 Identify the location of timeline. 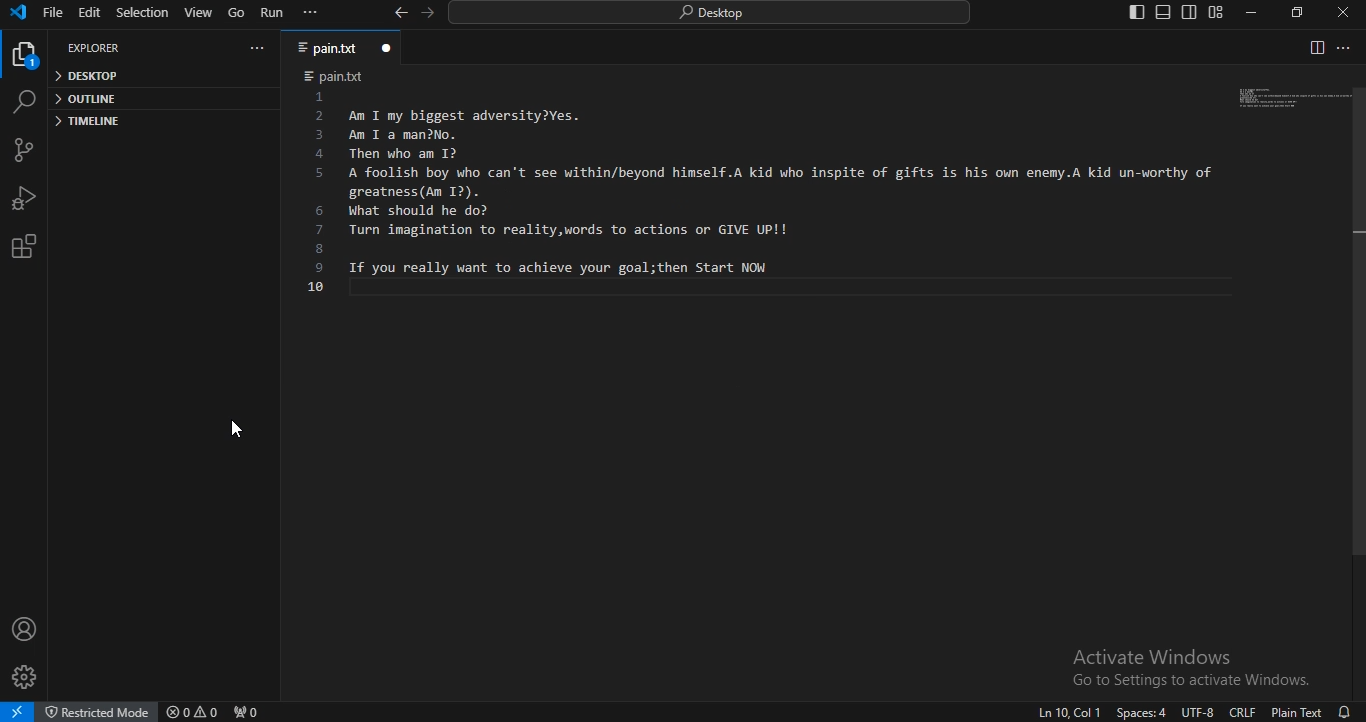
(87, 123).